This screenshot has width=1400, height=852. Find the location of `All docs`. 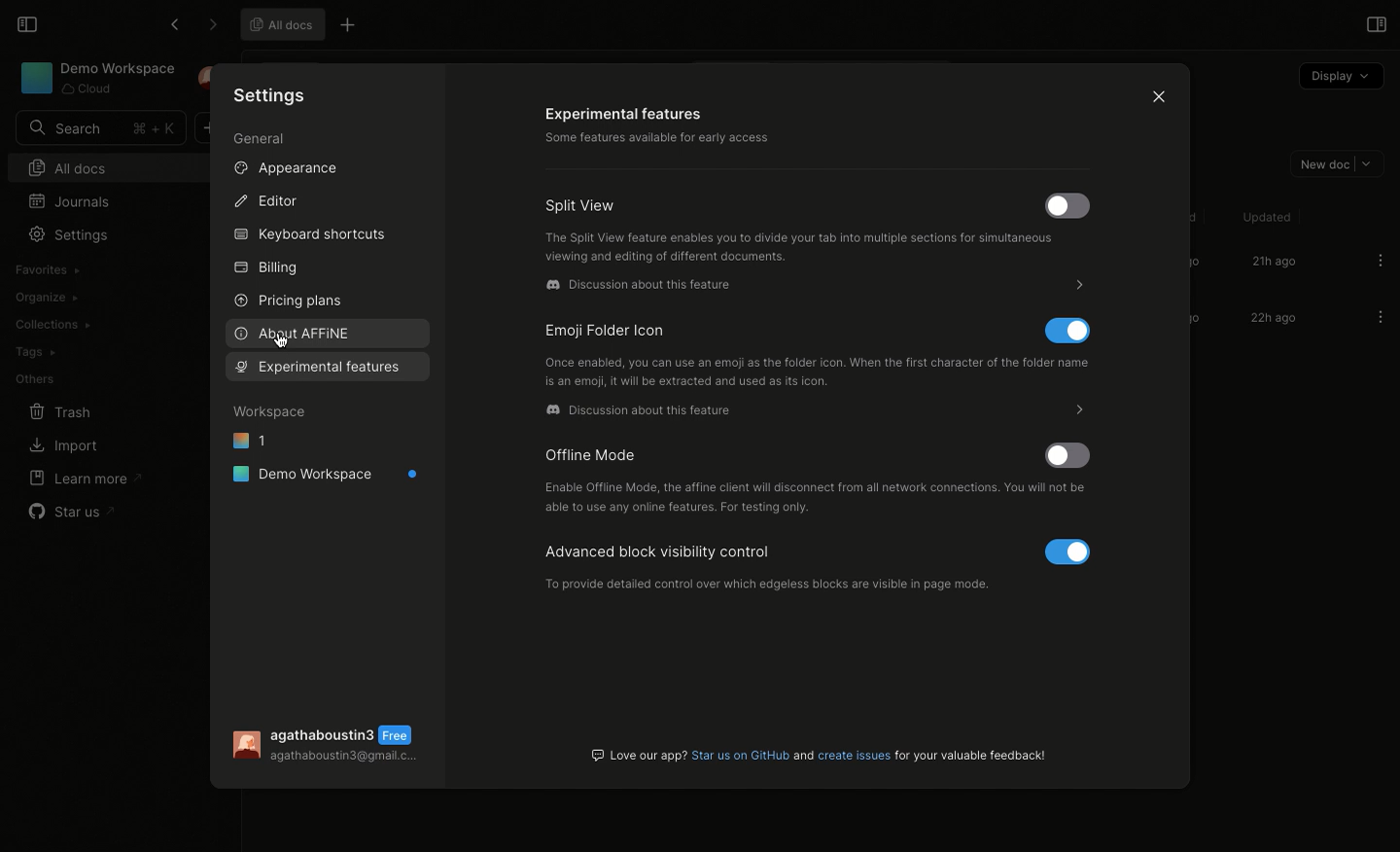

All docs is located at coordinates (279, 23).